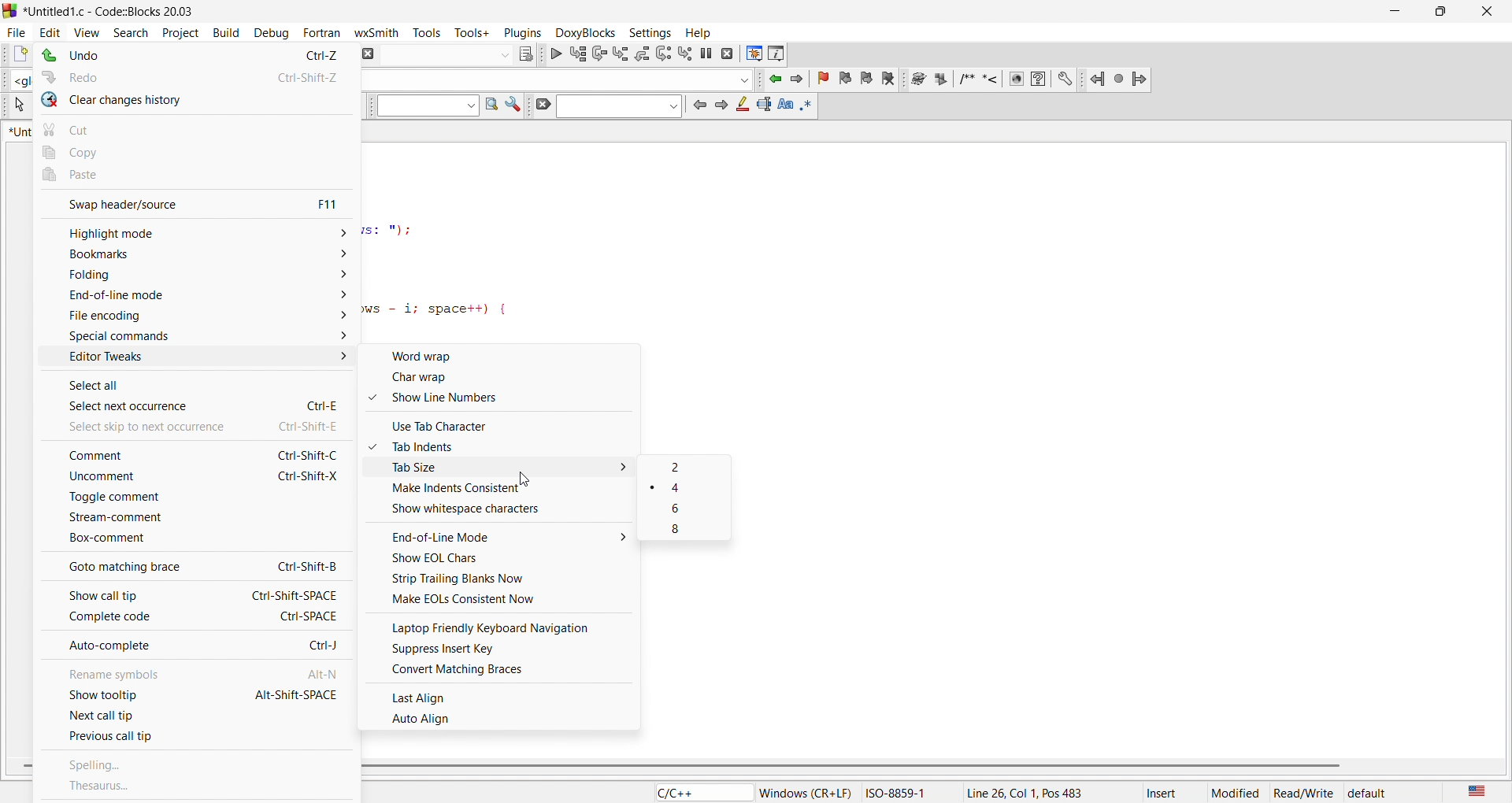 The image size is (1512, 803). What do you see at coordinates (309, 477) in the screenshot?
I see `Ctrl-Shift-X` at bounding box center [309, 477].